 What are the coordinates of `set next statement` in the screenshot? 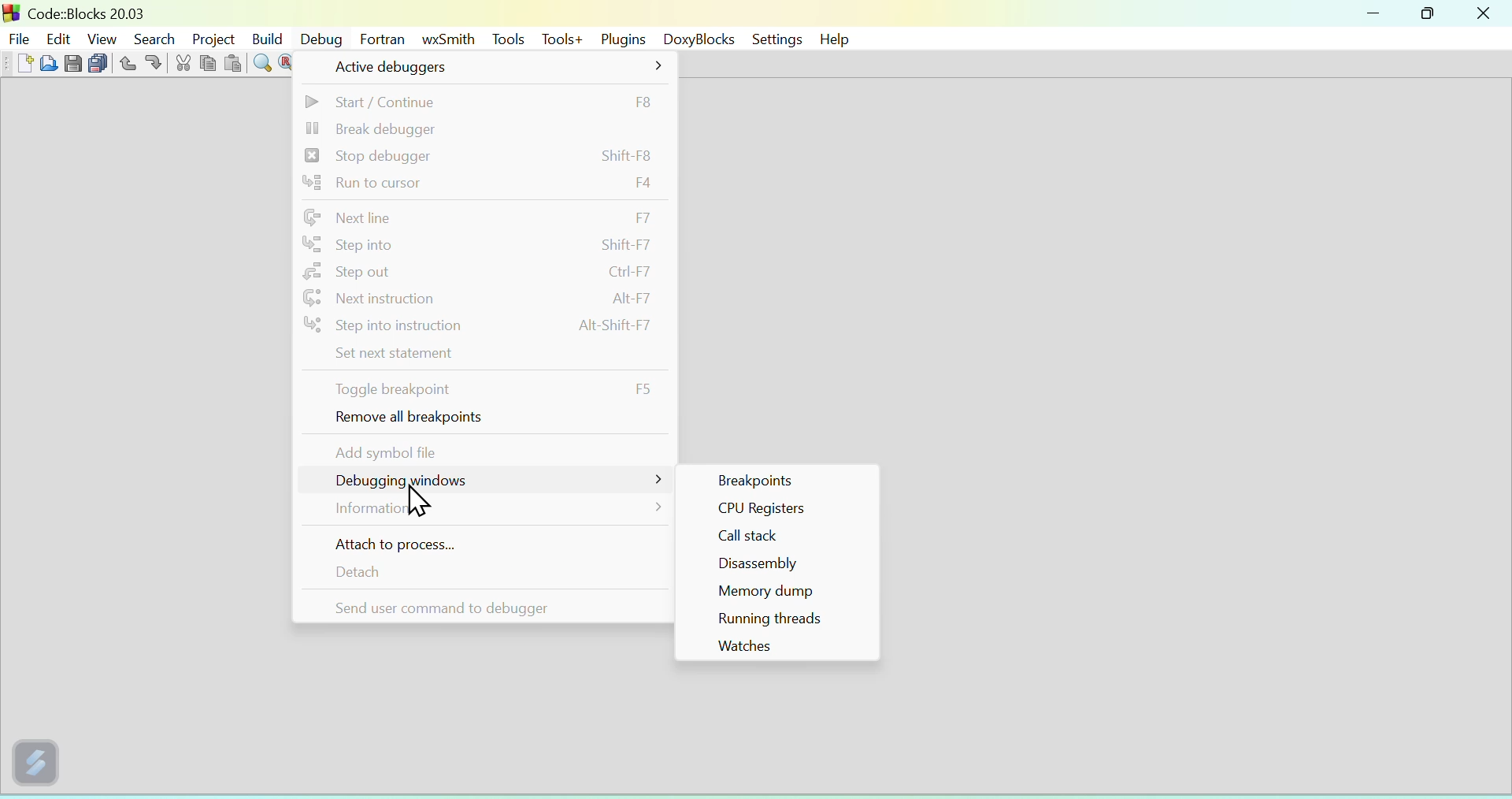 It's located at (482, 355).